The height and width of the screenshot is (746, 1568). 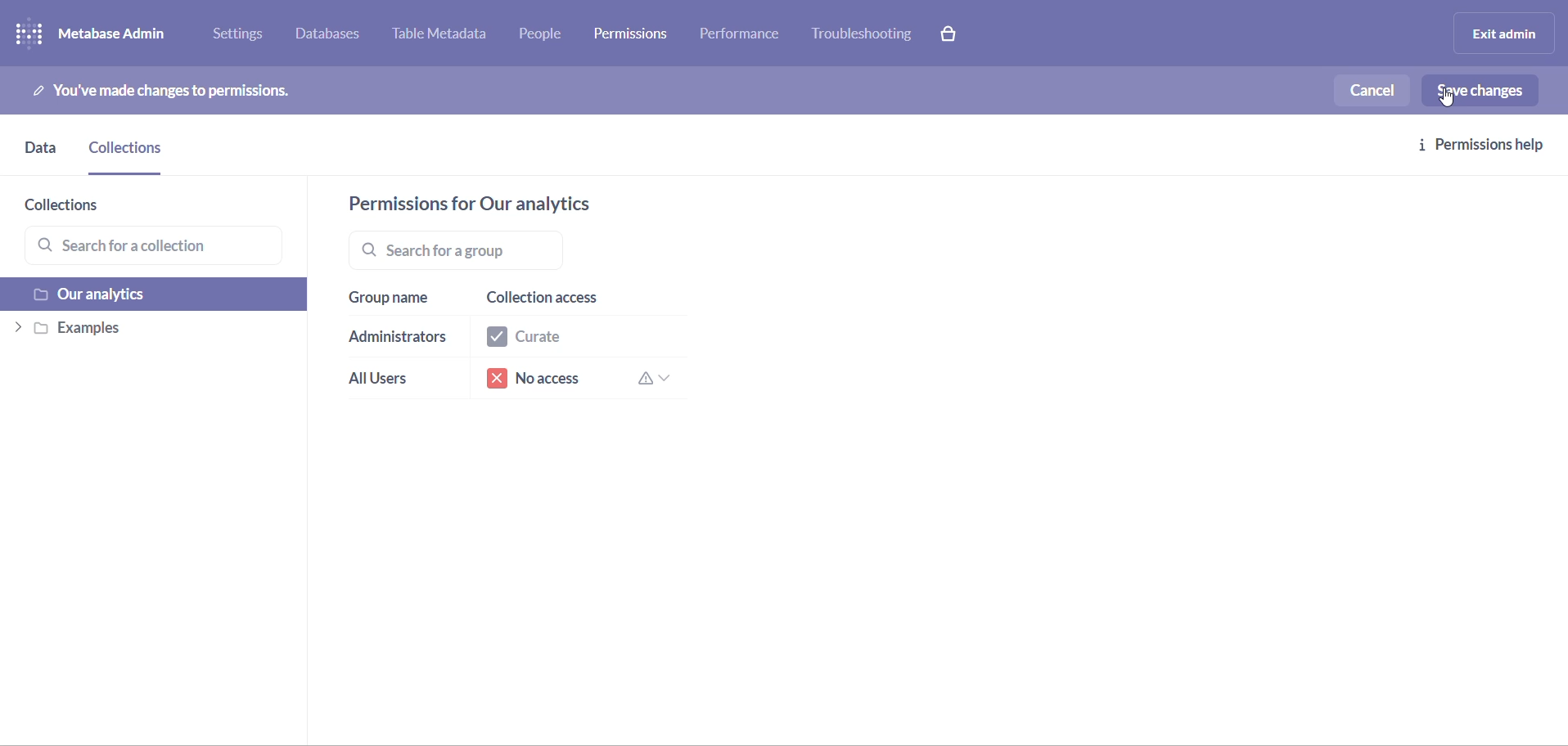 I want to click on table metadata, so click(x=447, y=36).